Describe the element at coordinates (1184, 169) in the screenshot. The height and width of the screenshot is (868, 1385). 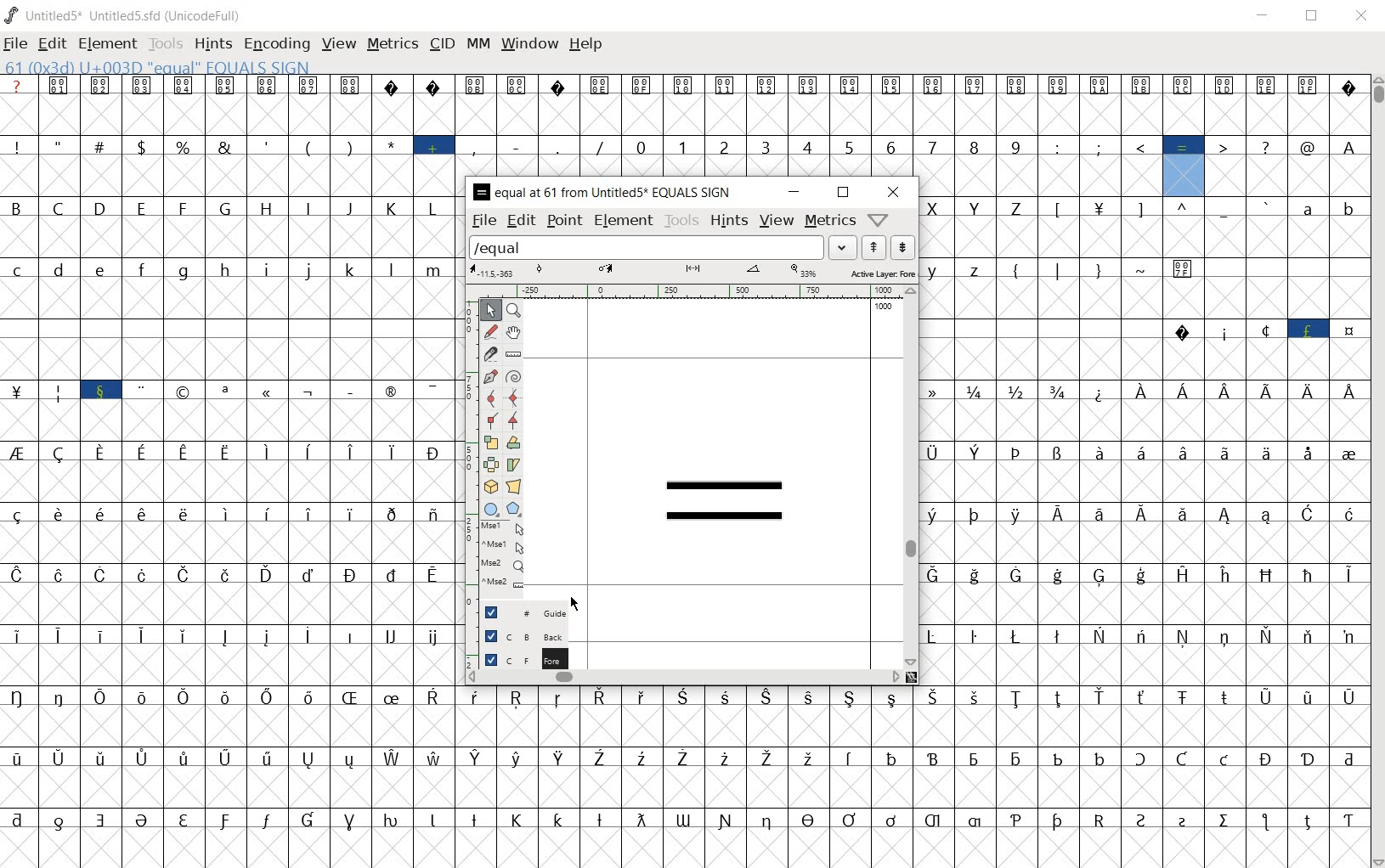
I see `61(0x3d) U+003D "EQUAL" EQUALS SIGN` at that location.